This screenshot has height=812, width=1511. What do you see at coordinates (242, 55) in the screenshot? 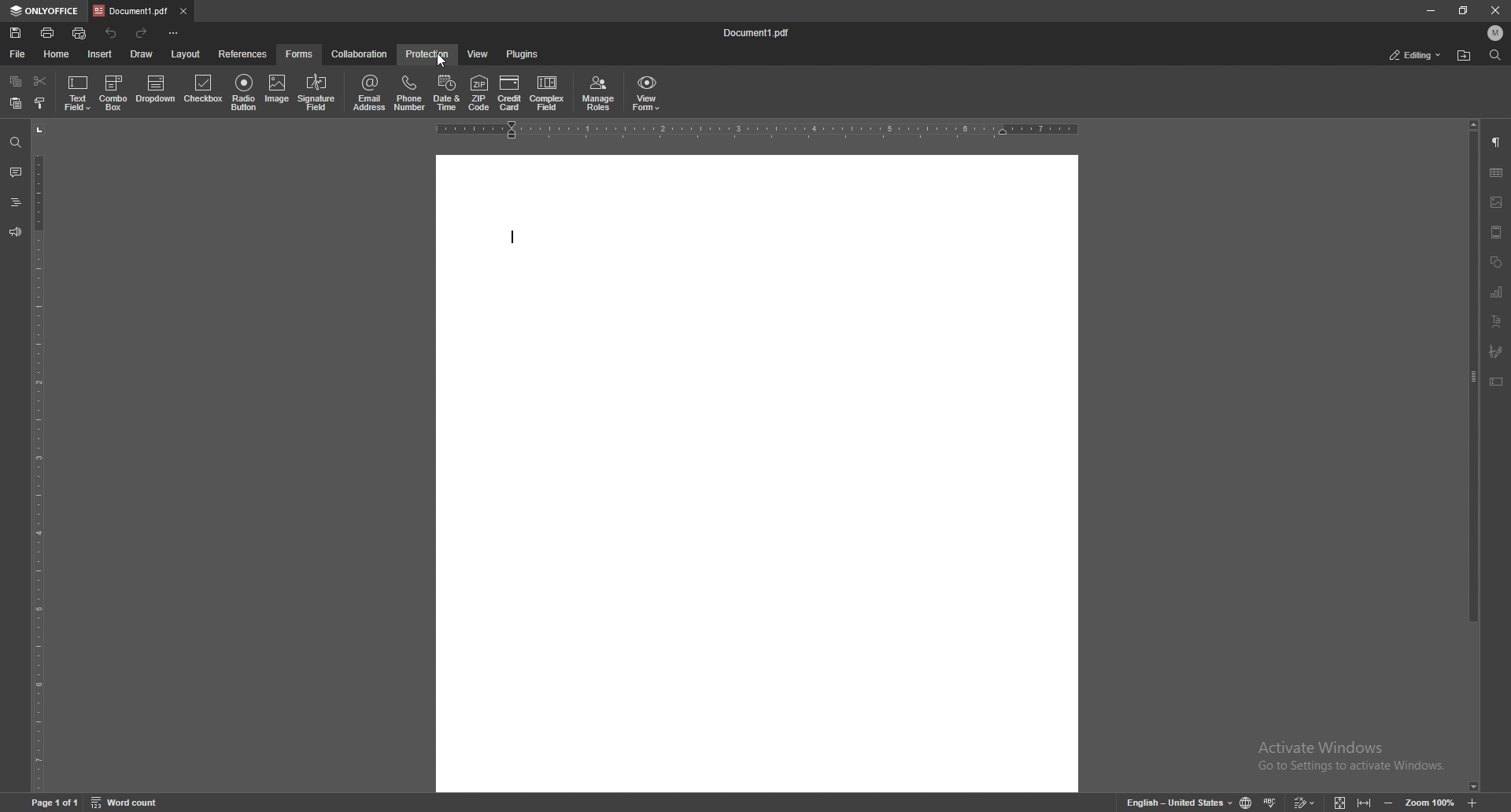
I see `references` at bounding box center [242, 55].